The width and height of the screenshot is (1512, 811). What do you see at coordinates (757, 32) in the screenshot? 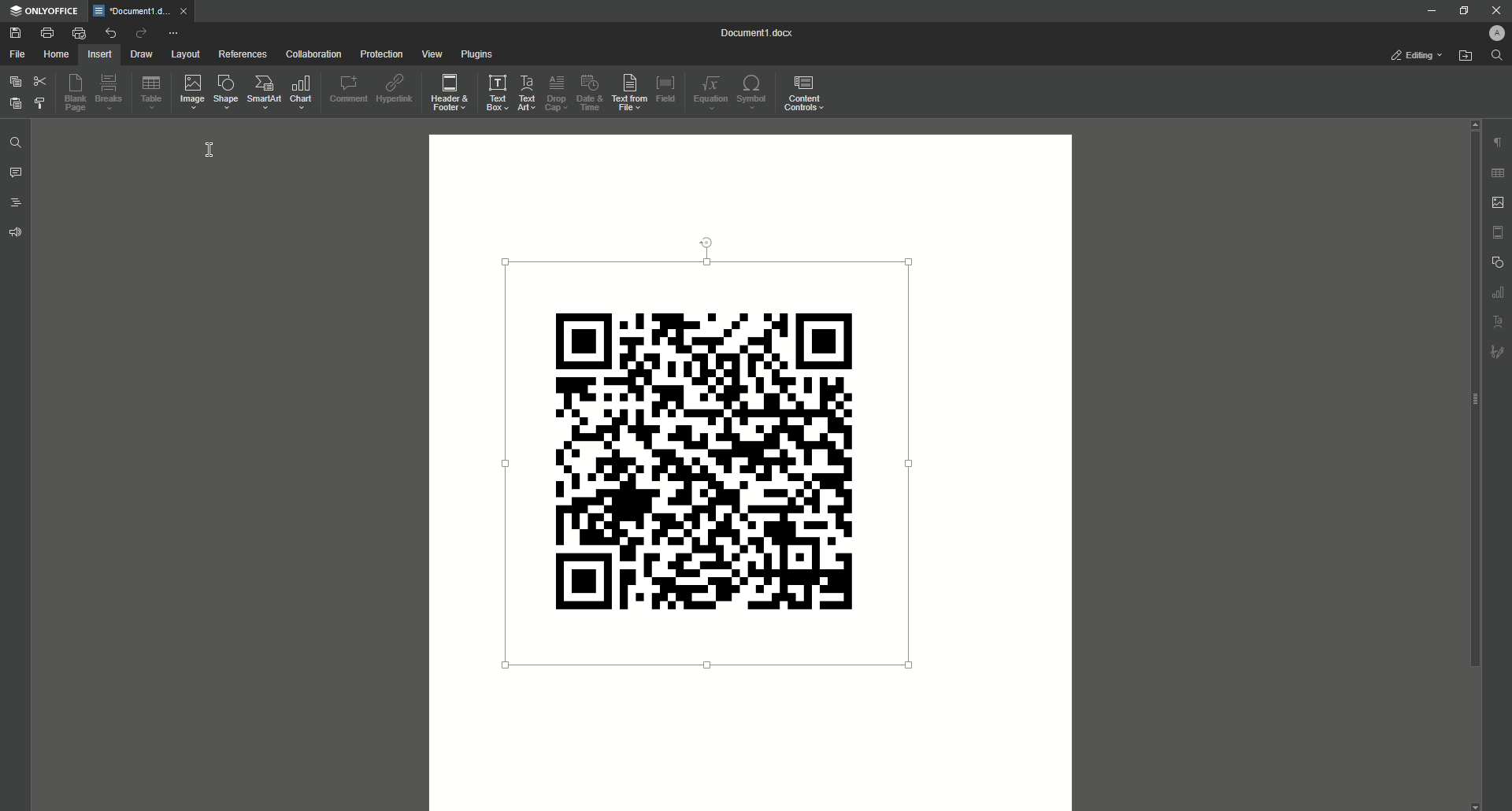
I see `Document1` at bounding box center [757, 32].